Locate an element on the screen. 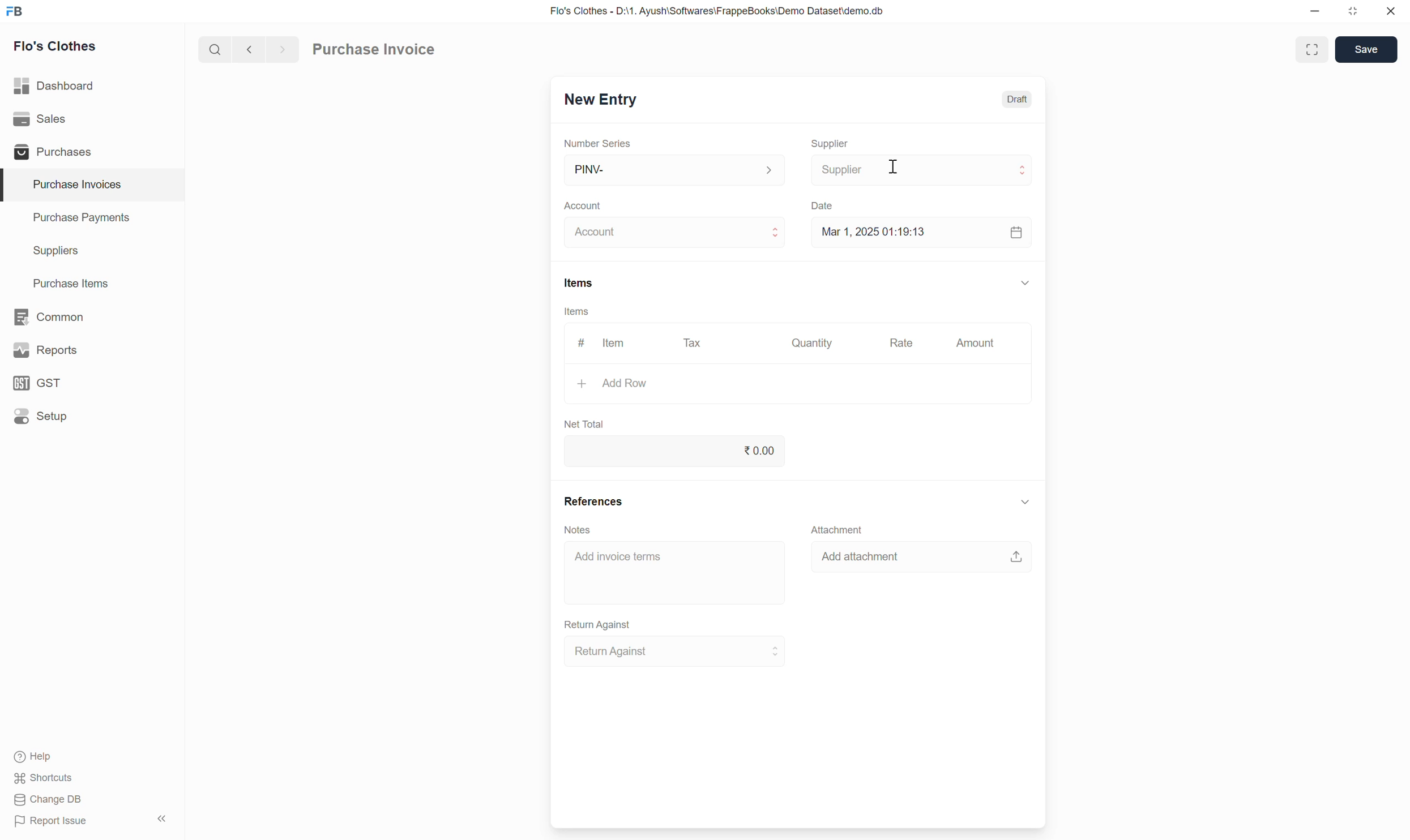 This screenshot has height=840, width=1410. minimize is located at coordinates (1315, 14).